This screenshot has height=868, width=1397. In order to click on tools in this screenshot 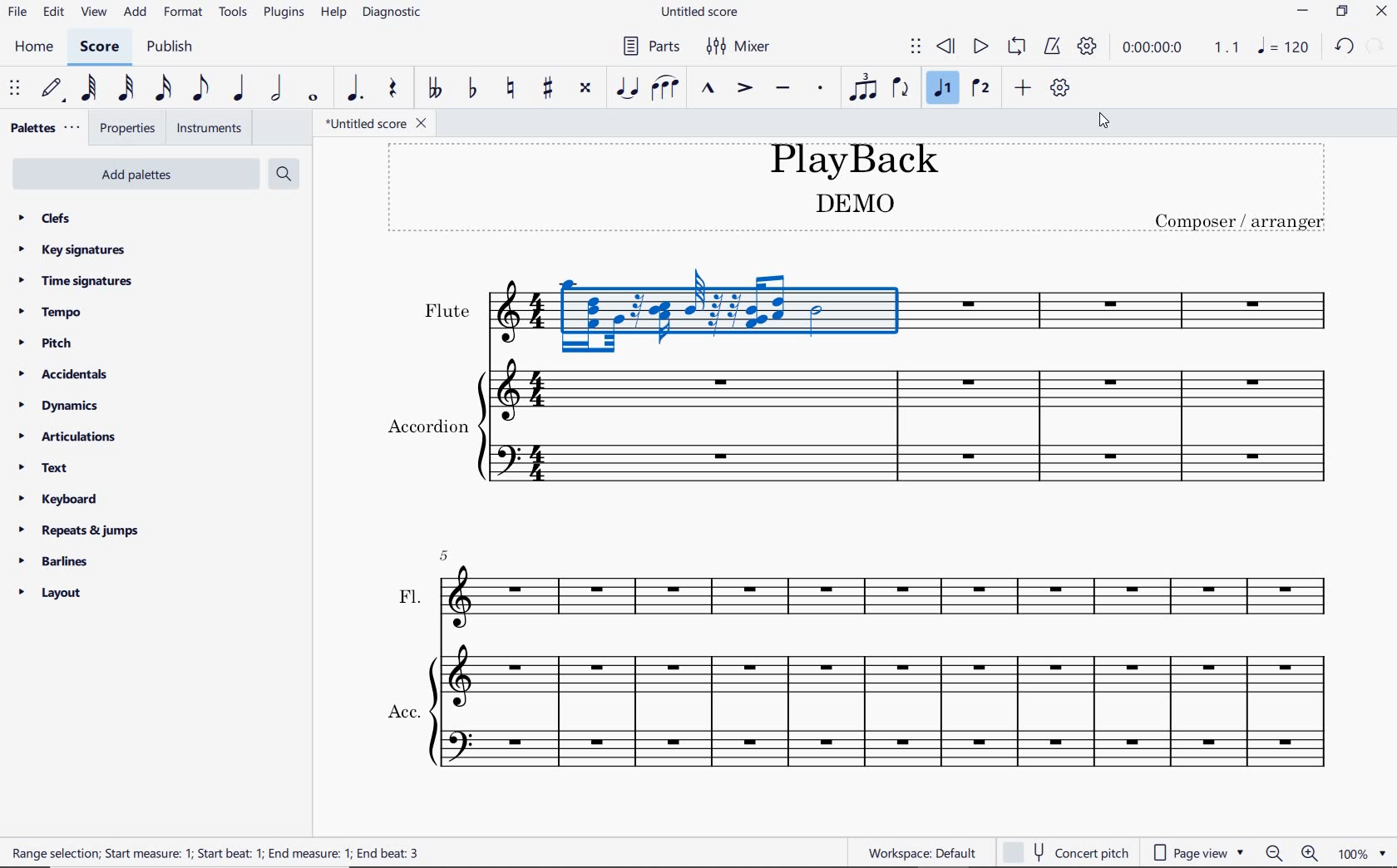, I will do `click(233, 12)`.